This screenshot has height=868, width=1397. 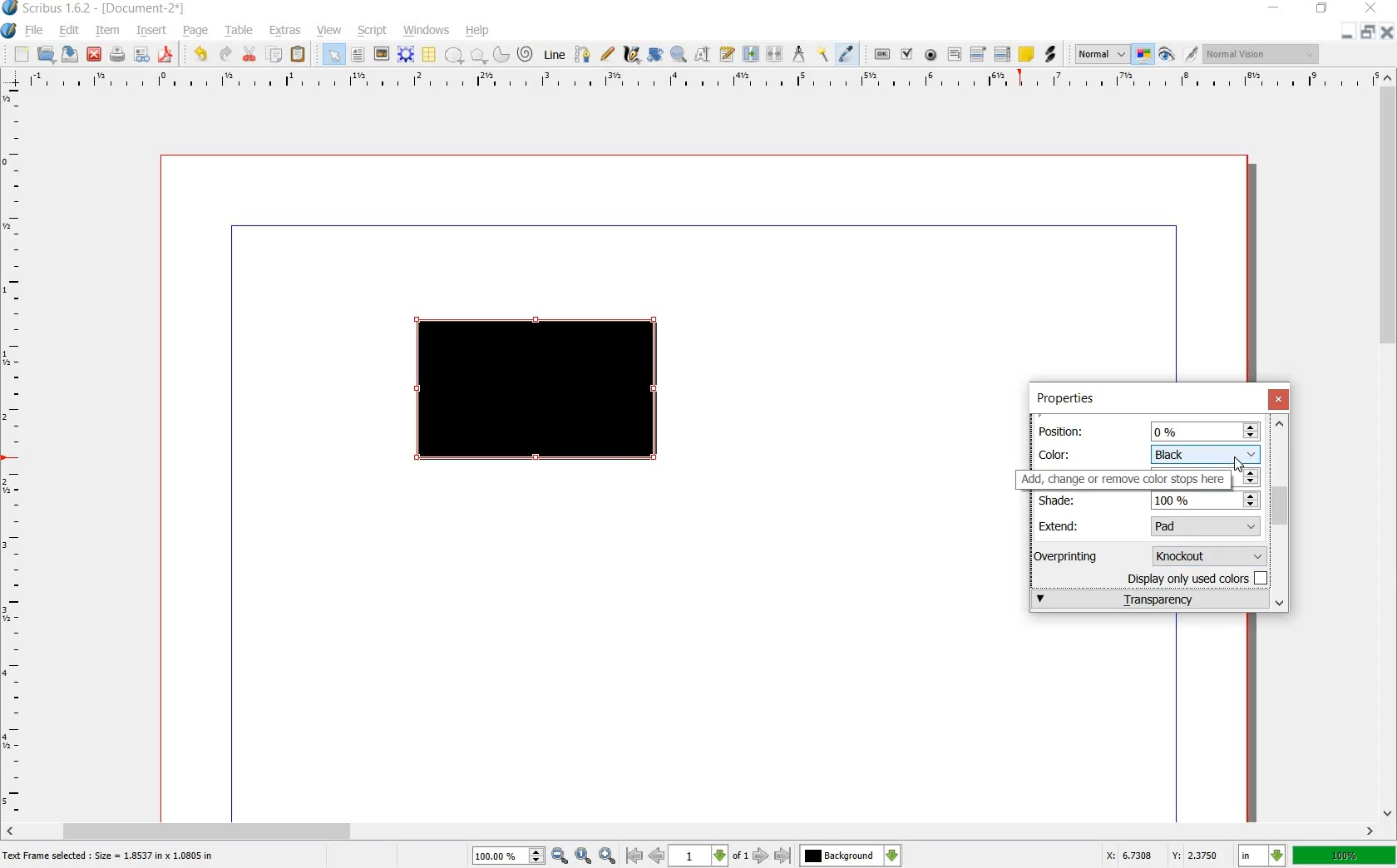 I want to click on scrollbar, so click(x=1279, y=513).